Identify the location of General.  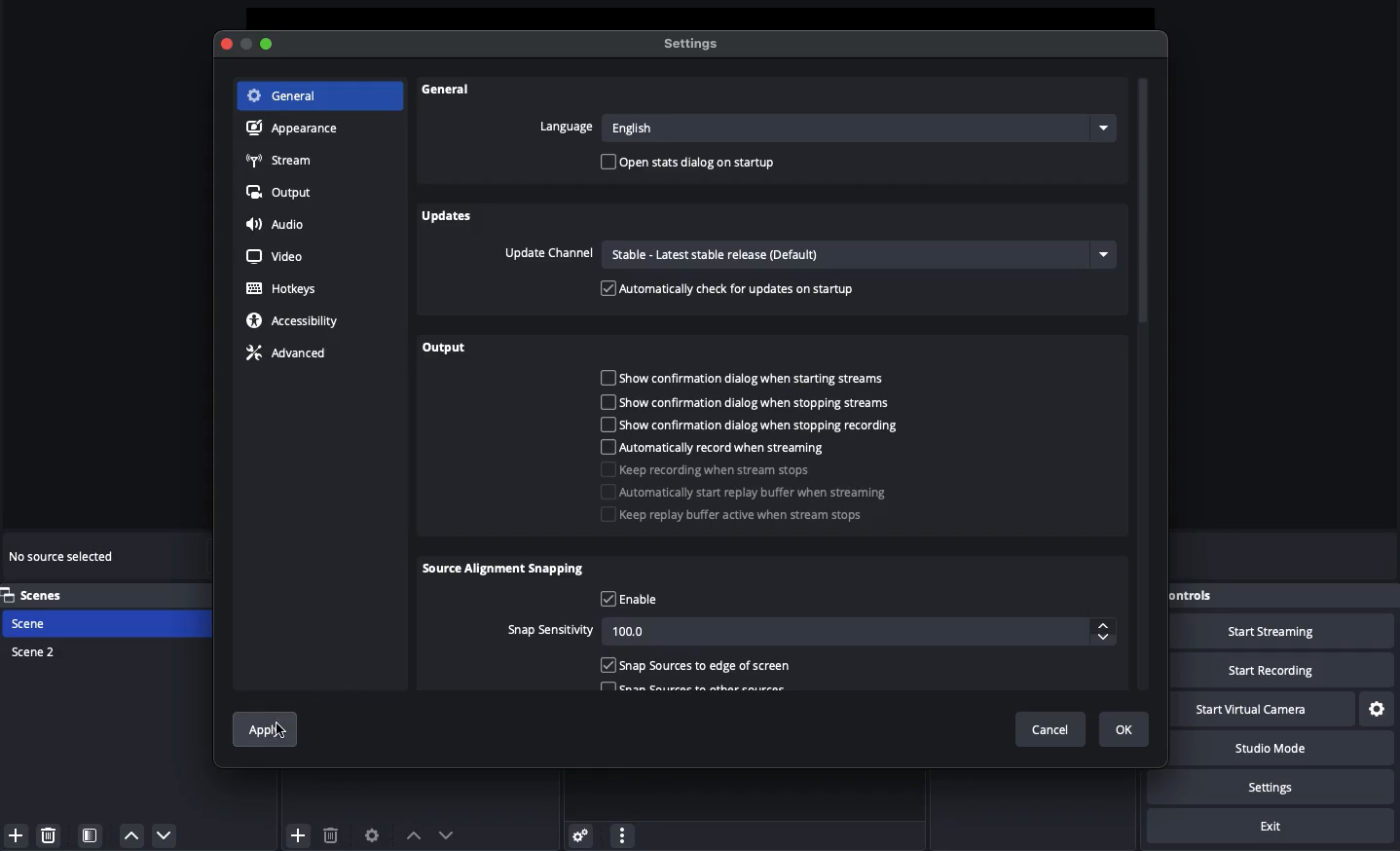
(286, 95).